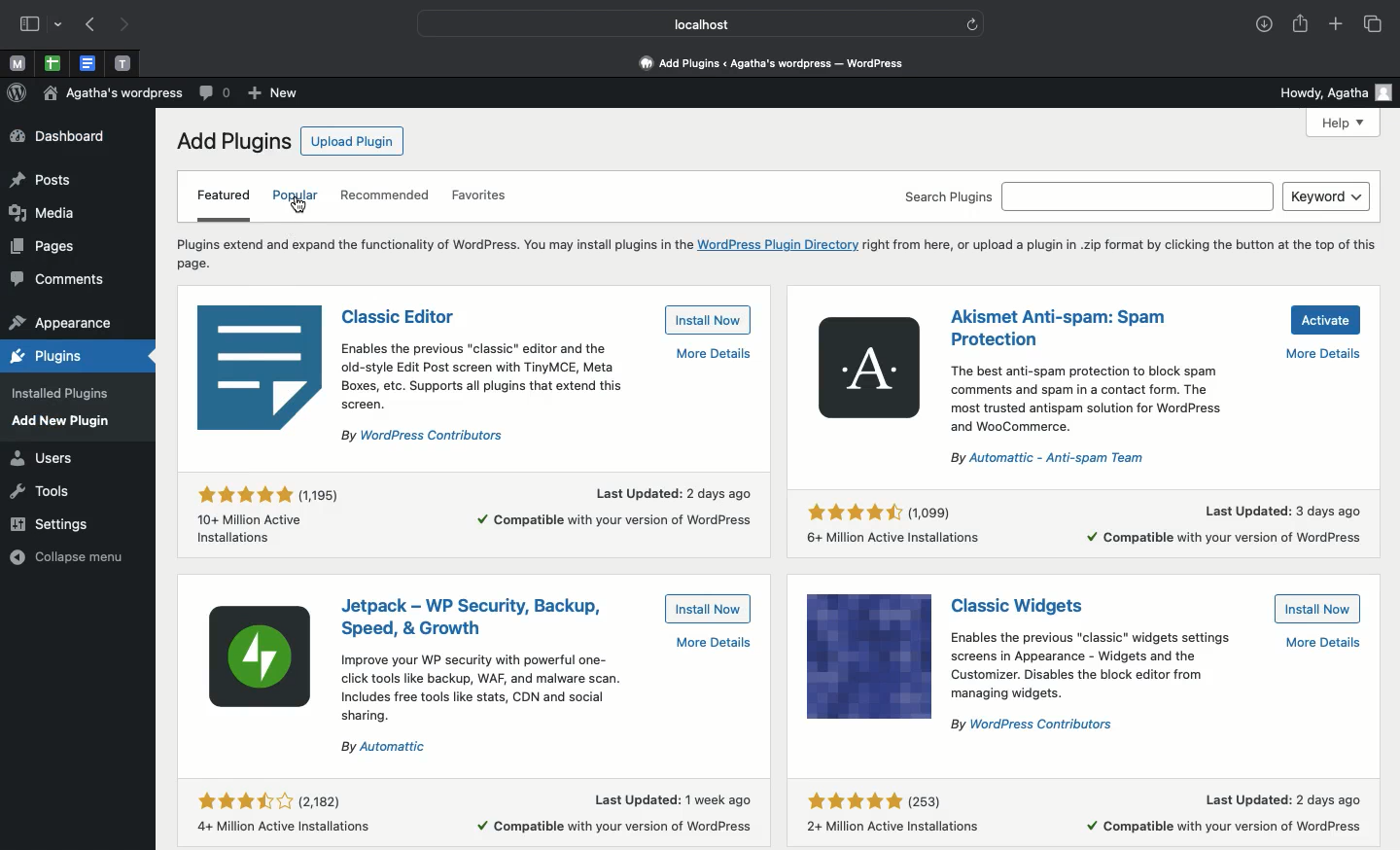 The width and height of the screenshot is (1400, 850). Describe the element at coordinates (66, 421) in the screenshot. I see `add new plugin` at that location.